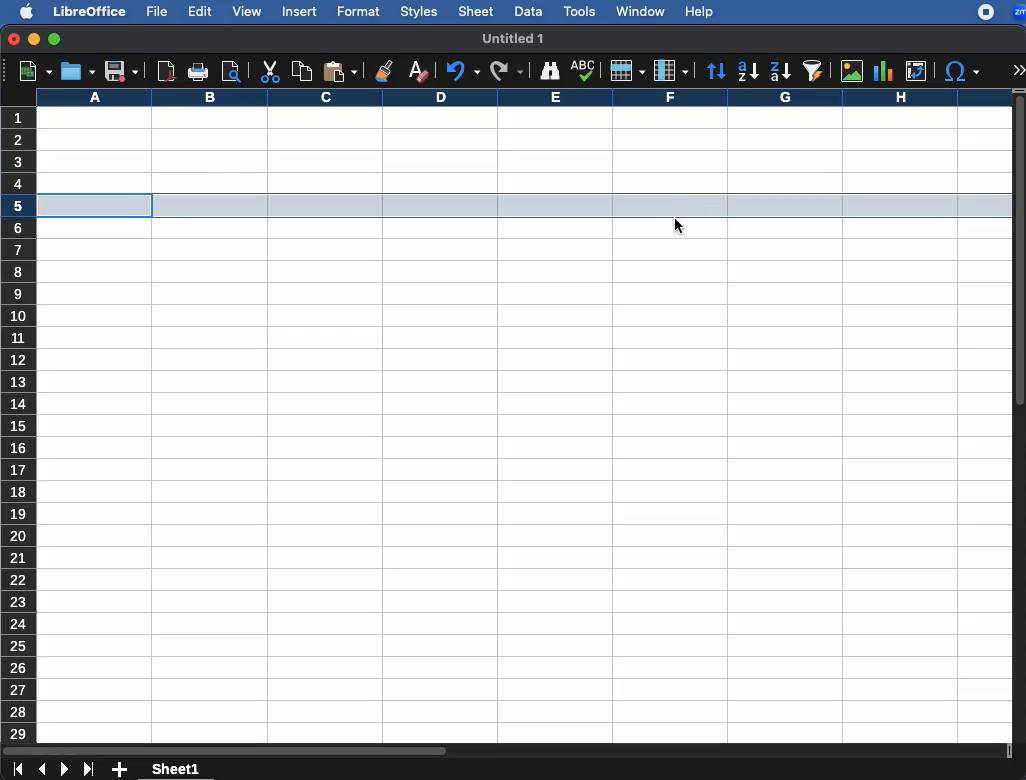 The height and width of the screenshot is (780, 1026). I want to click on sheet, so click(476, 11).